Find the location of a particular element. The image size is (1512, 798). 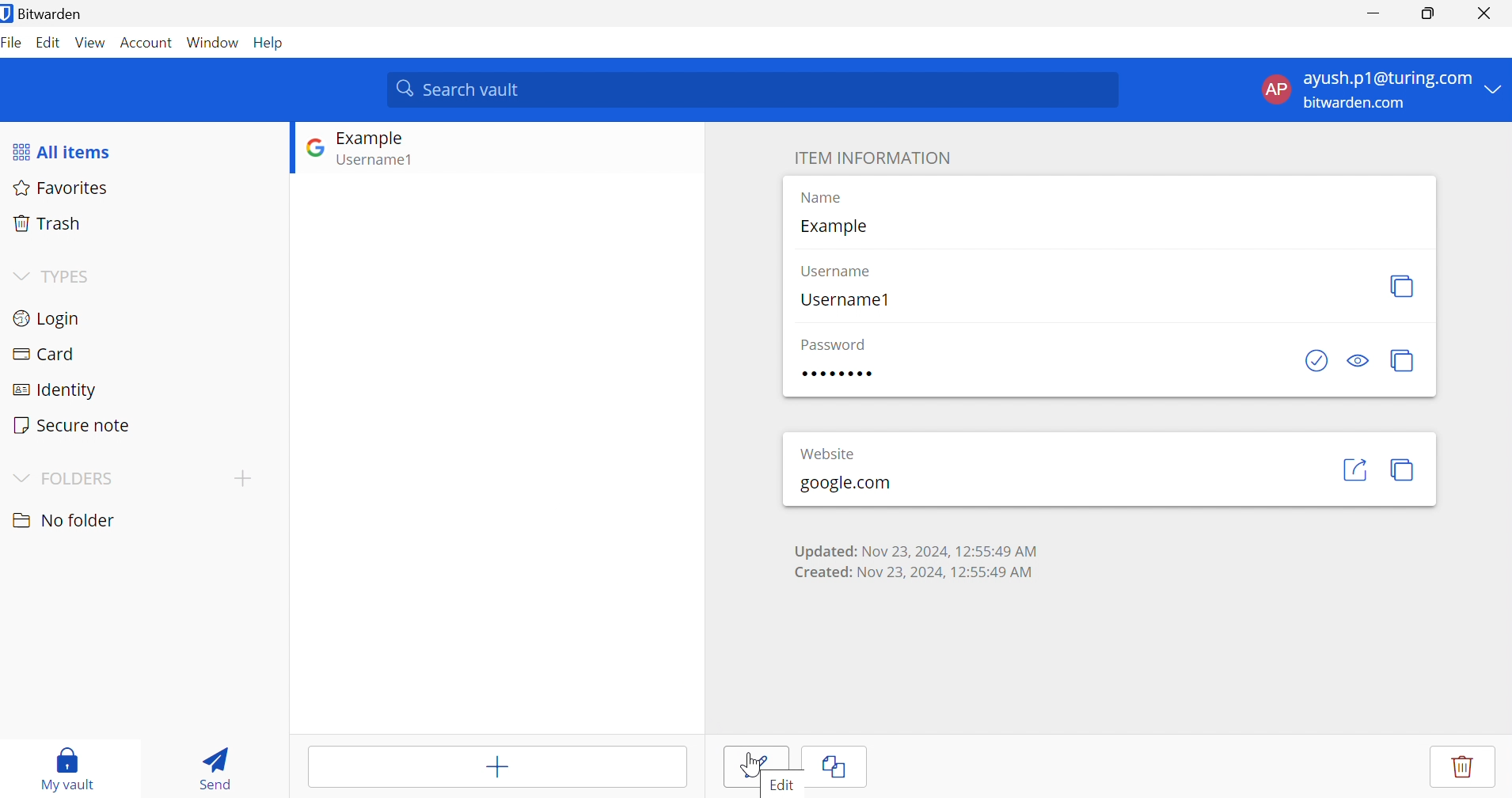

google.com is located at coordinates (844, 484).